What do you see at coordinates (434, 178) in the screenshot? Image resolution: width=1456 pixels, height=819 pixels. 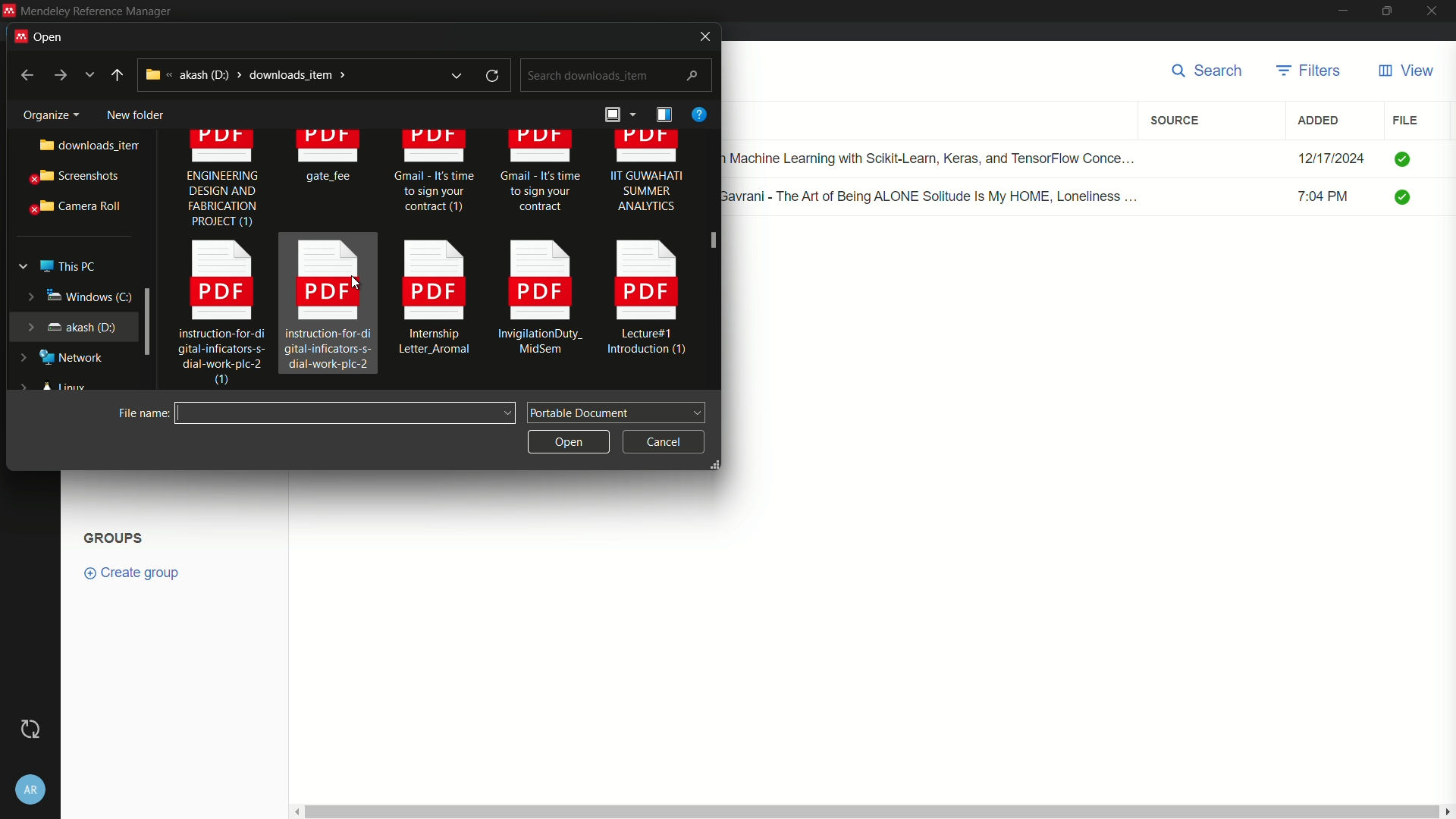 I see `Gmail - It's time
to sign your
contract (1)` at bounding box center [434, 178].